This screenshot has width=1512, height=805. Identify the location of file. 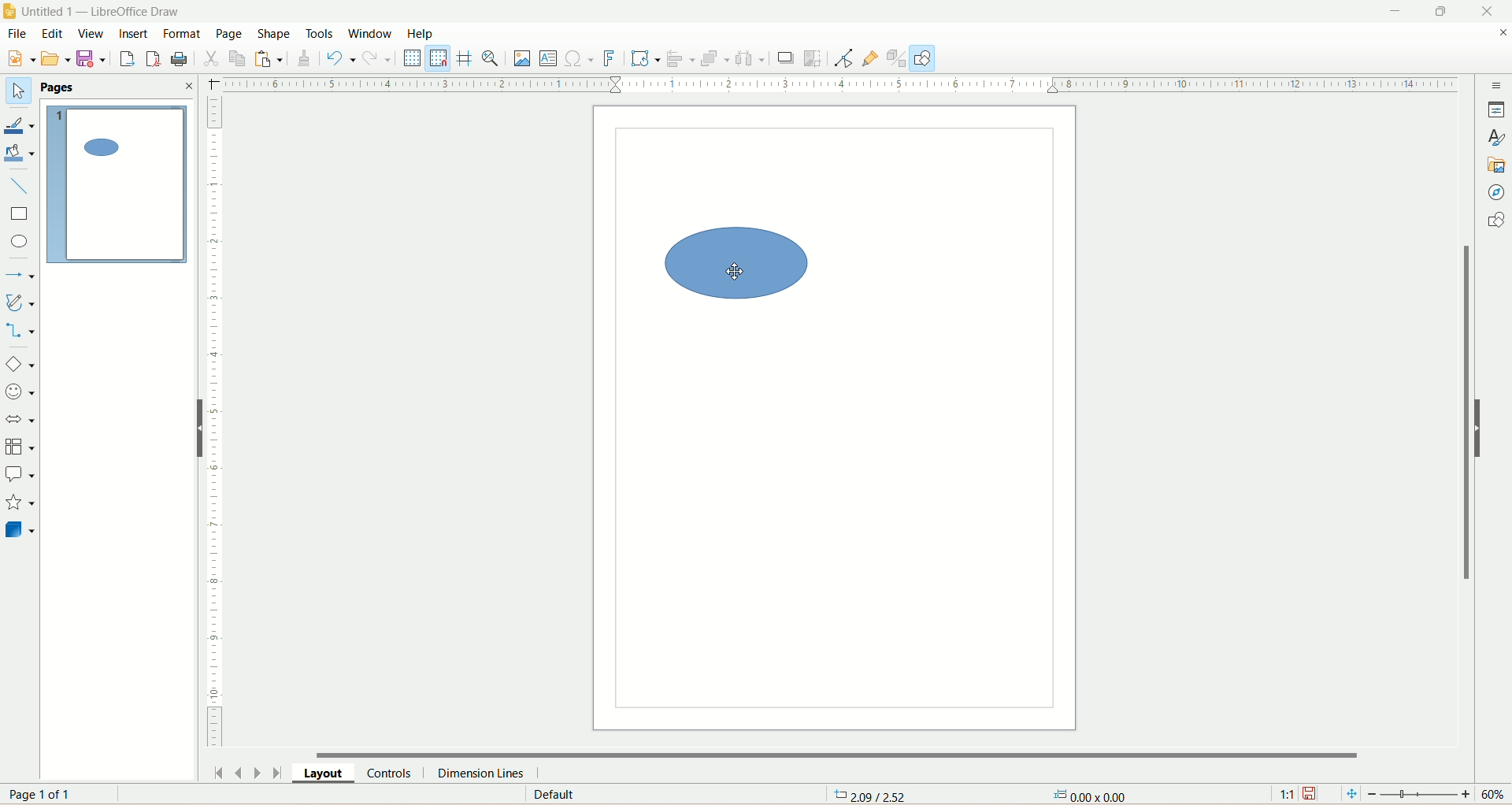
(20, 33).